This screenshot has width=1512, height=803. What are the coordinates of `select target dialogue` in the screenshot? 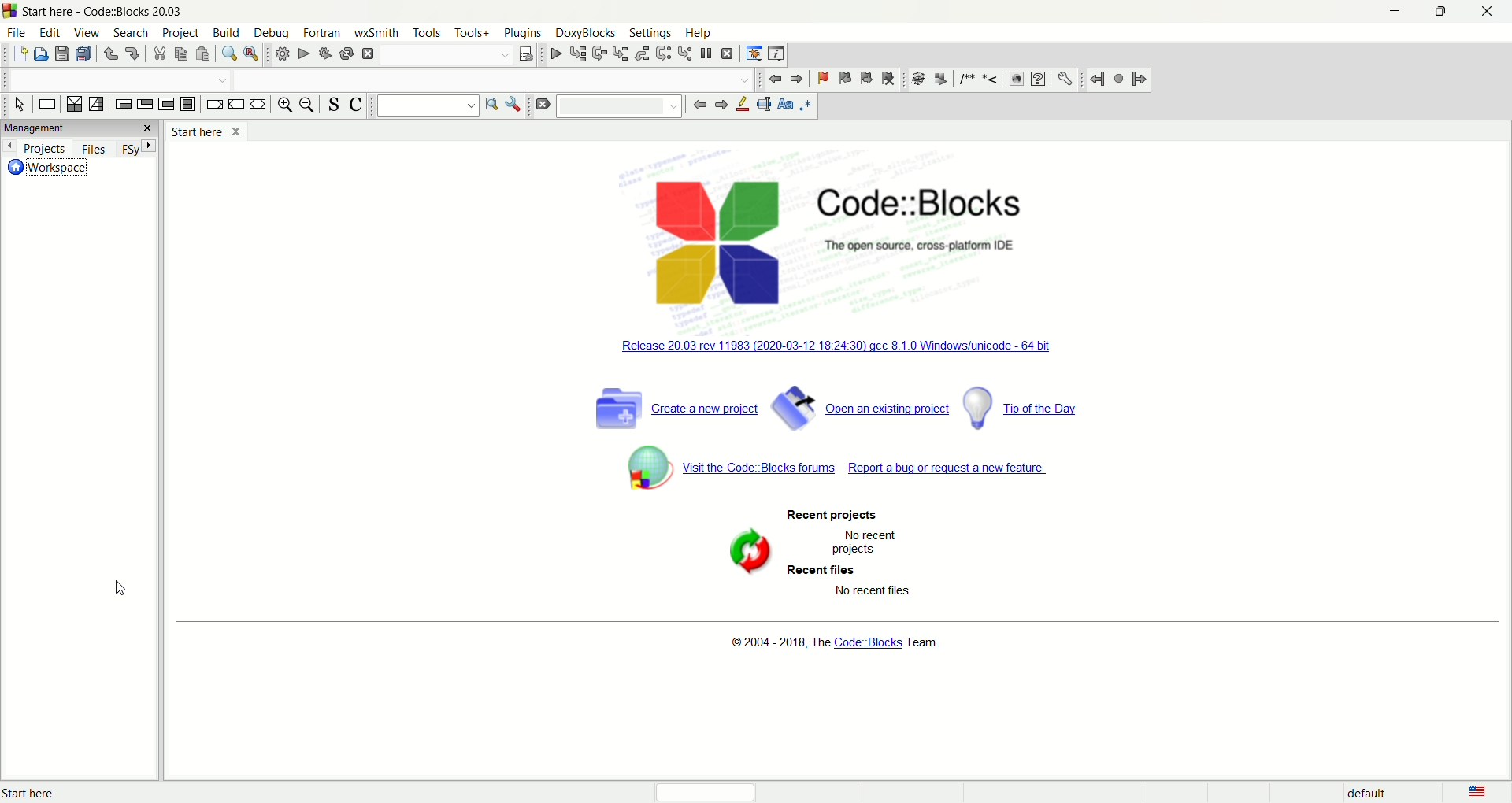 It's located at (527, 54).